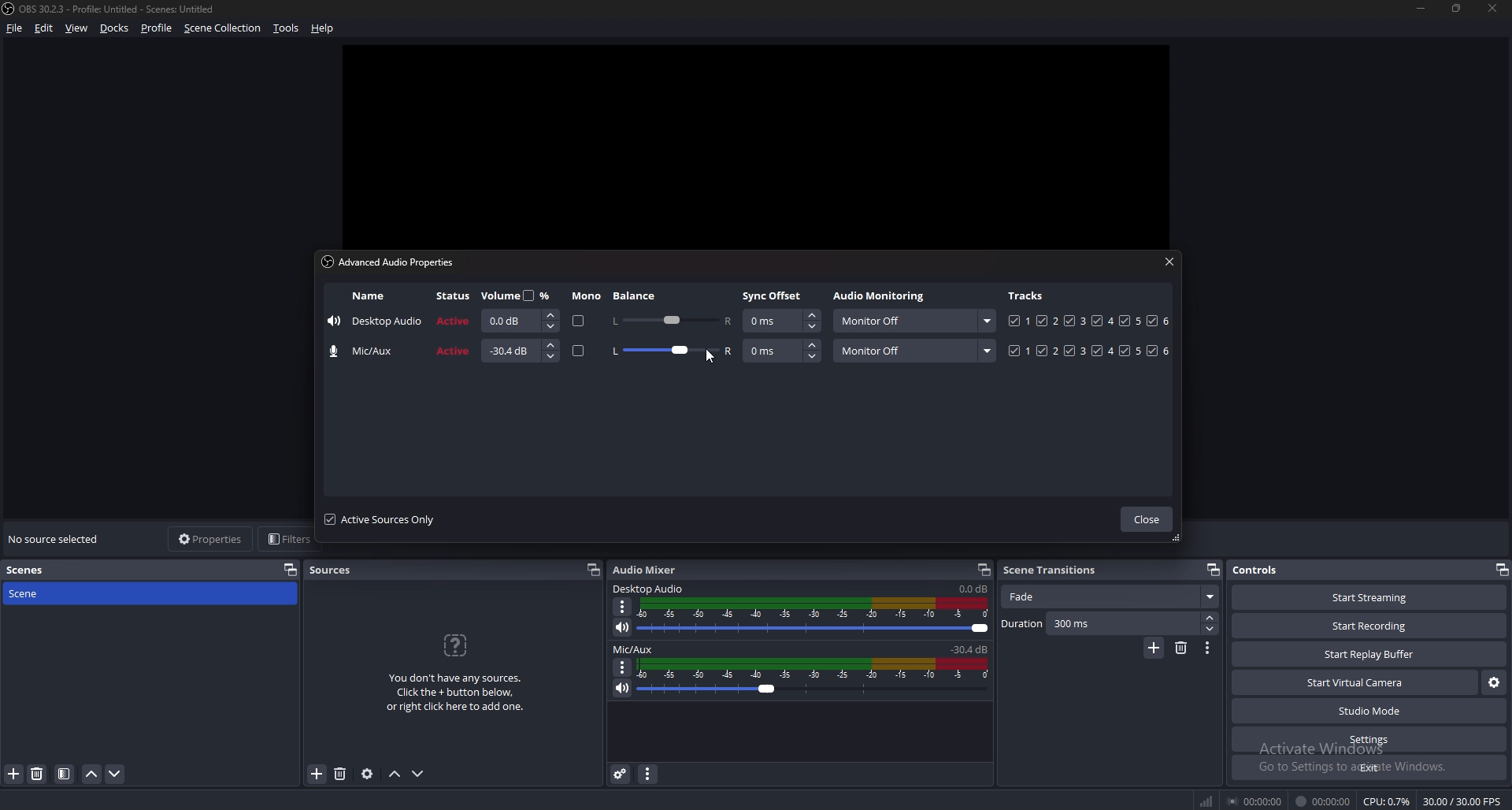 This screenshot has width=1512, height=810. What do you see at coordinates (1368, 597) in the screenshot?
I see `start streaming` at bounding box center [1368, 597].